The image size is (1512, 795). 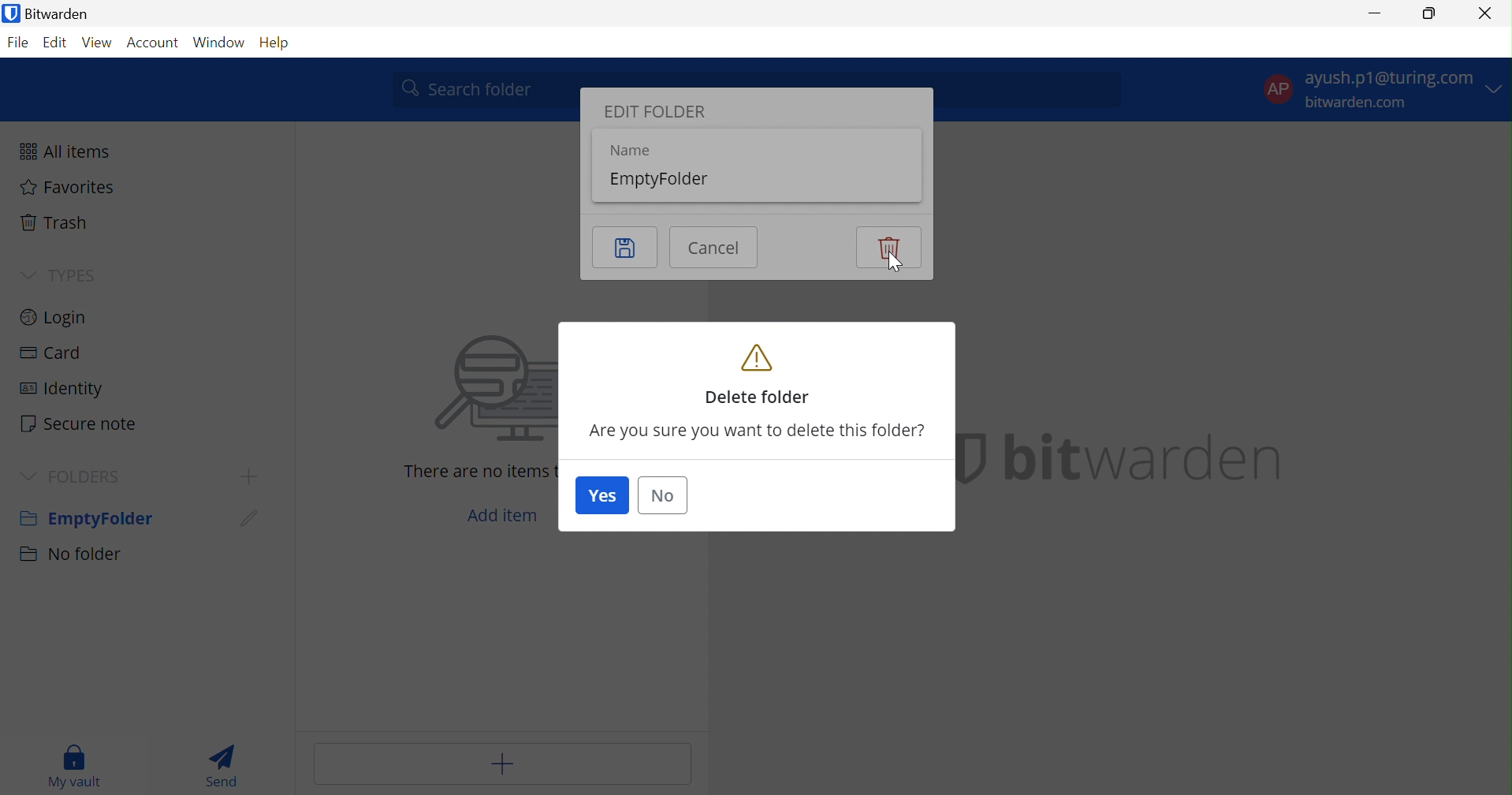 What do you see at coordinates (54, 315) in the screenshot?
I see `Login` at bounding box center [54, 315].